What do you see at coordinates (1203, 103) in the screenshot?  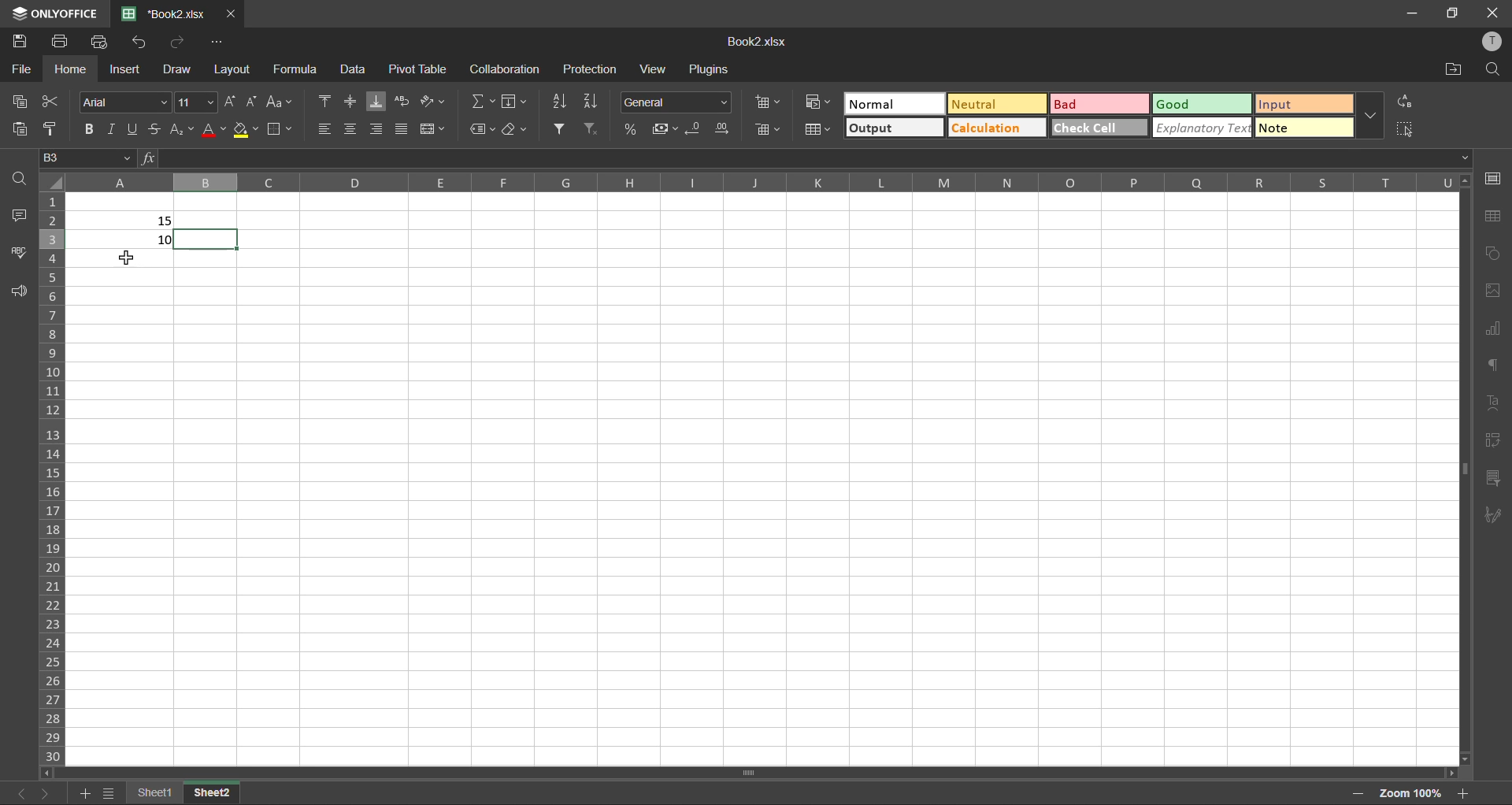 I see `good` at bounding box center [1203, 103].